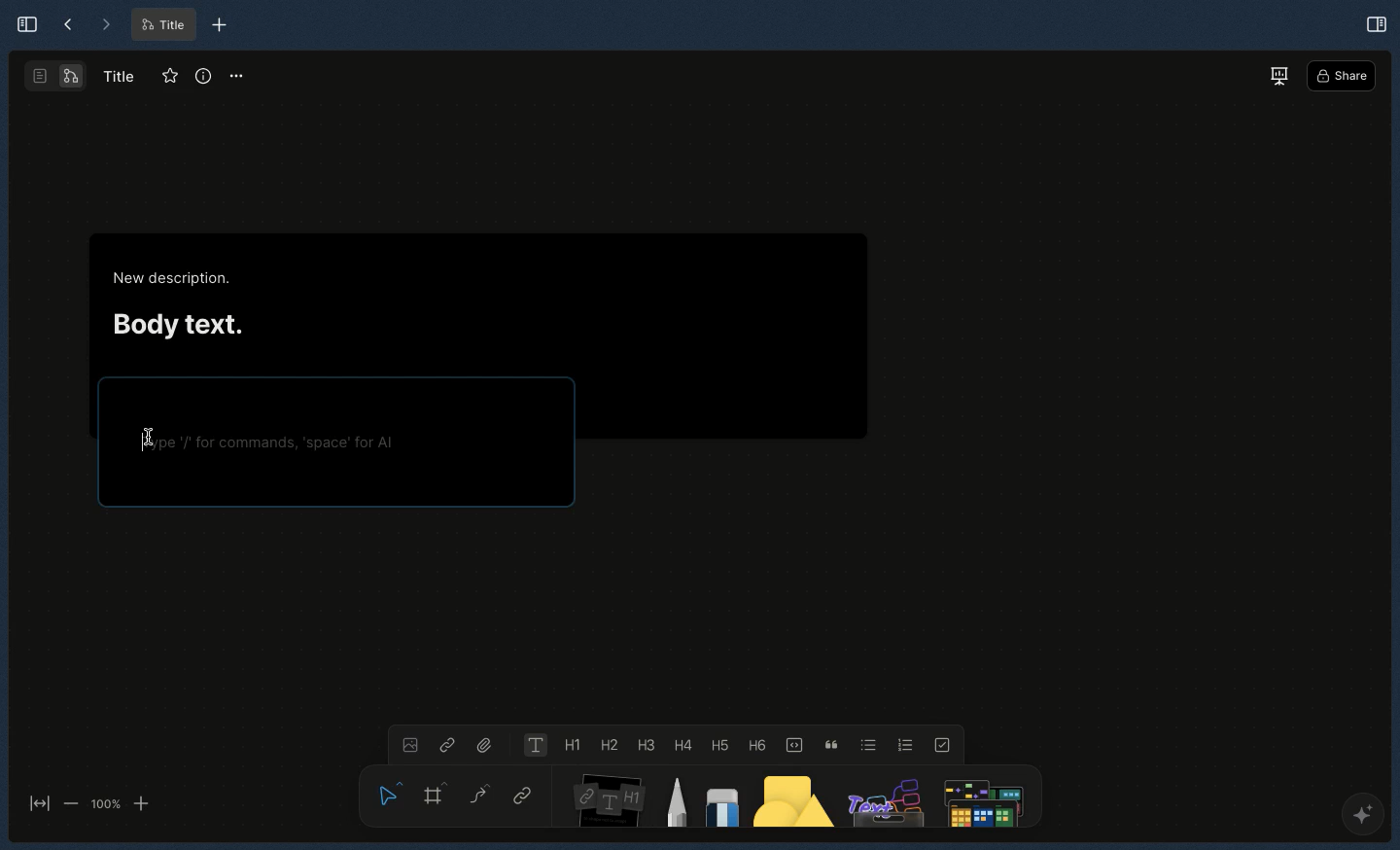 This screenshot has width=1400, height=850. I want to click on Frame, so click(437, 793).